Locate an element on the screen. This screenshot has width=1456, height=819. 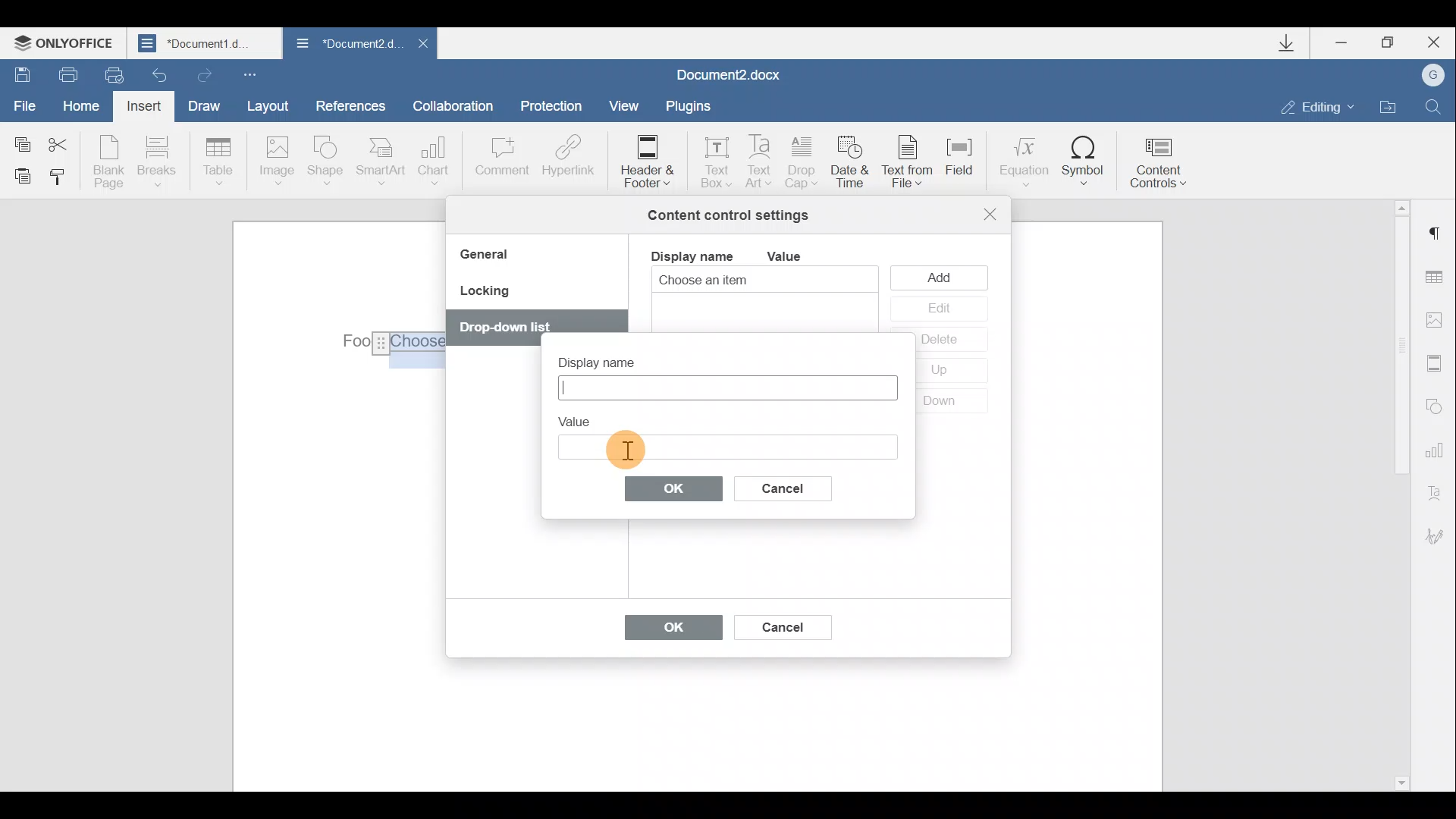
Collaboration is located at coordinates (459, 105).